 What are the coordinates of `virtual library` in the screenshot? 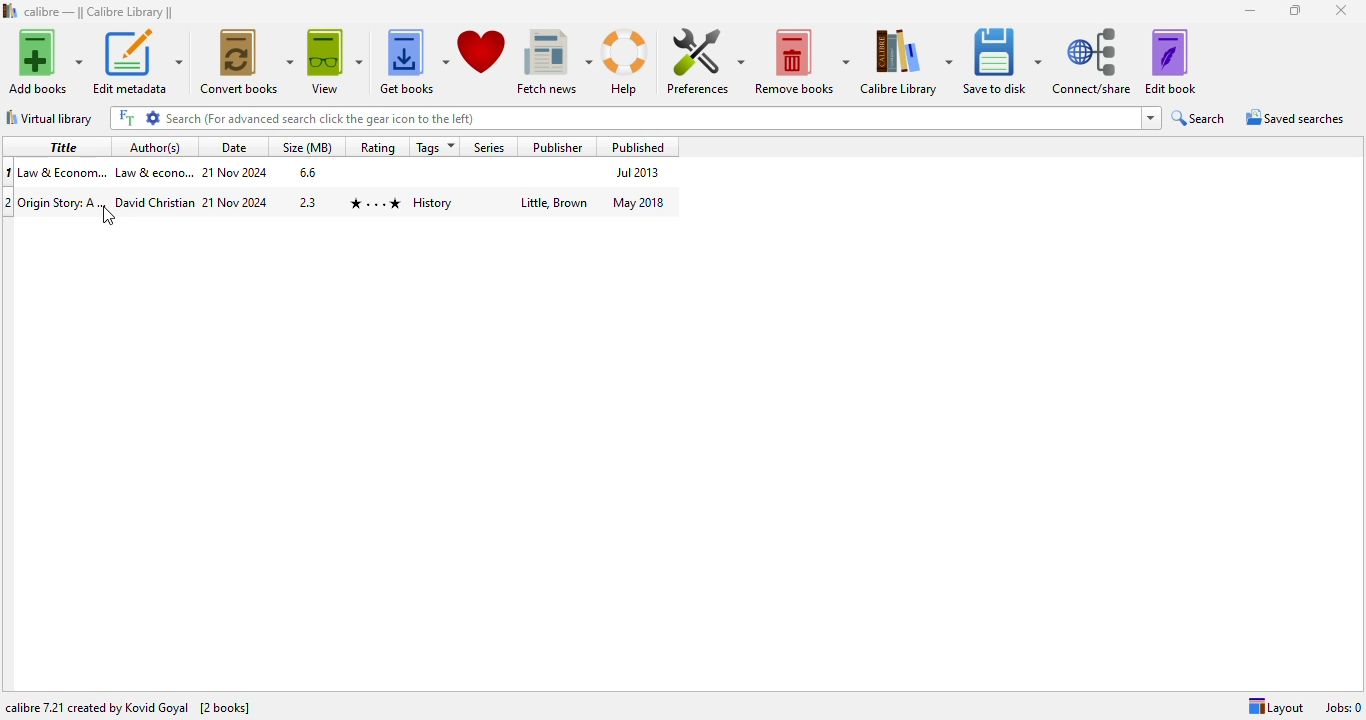 It's located at (50, 118).